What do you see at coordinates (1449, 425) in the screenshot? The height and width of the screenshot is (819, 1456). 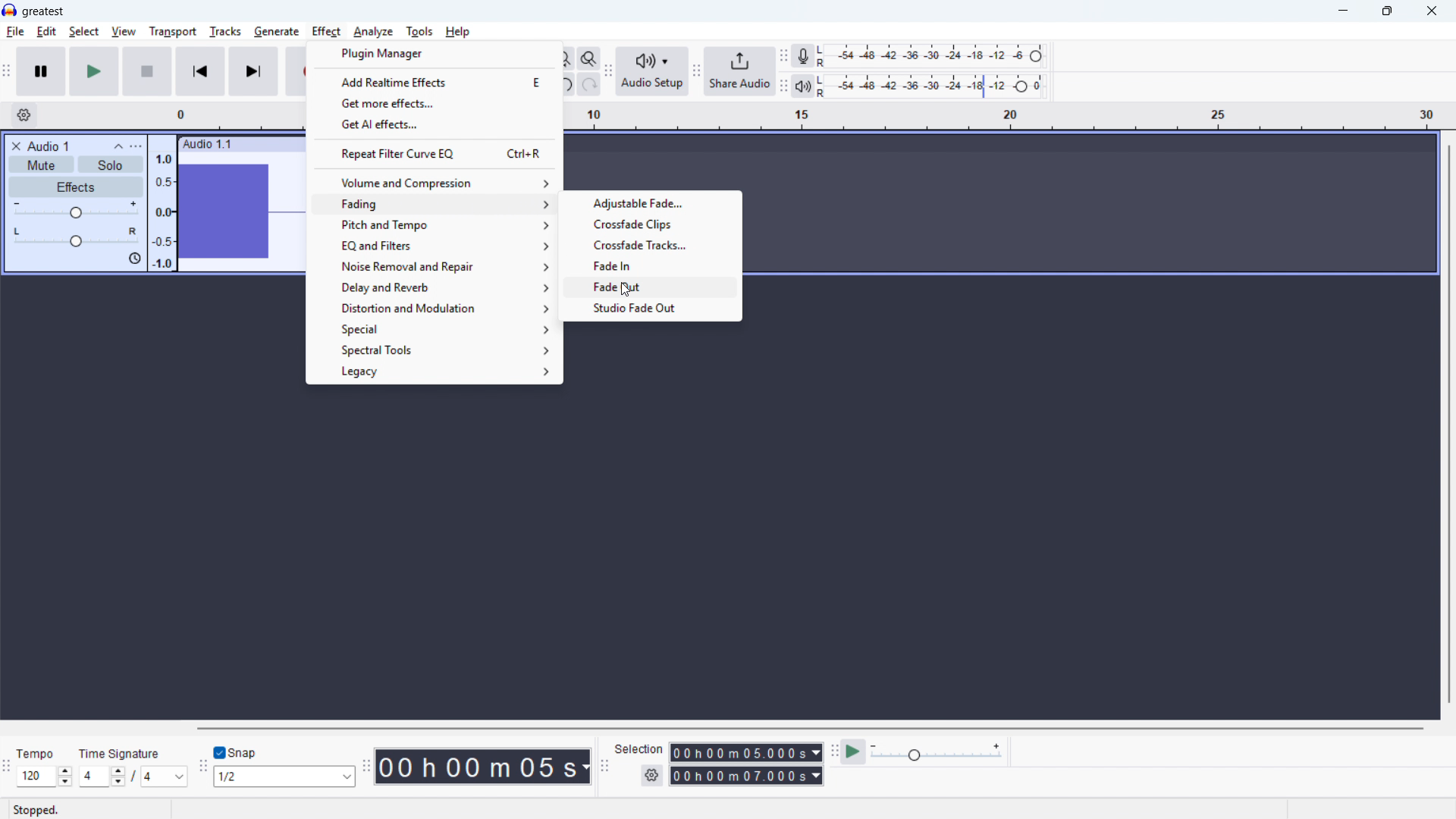 I see `Vertical scroll bar ` at bounding box center [1449, 425].